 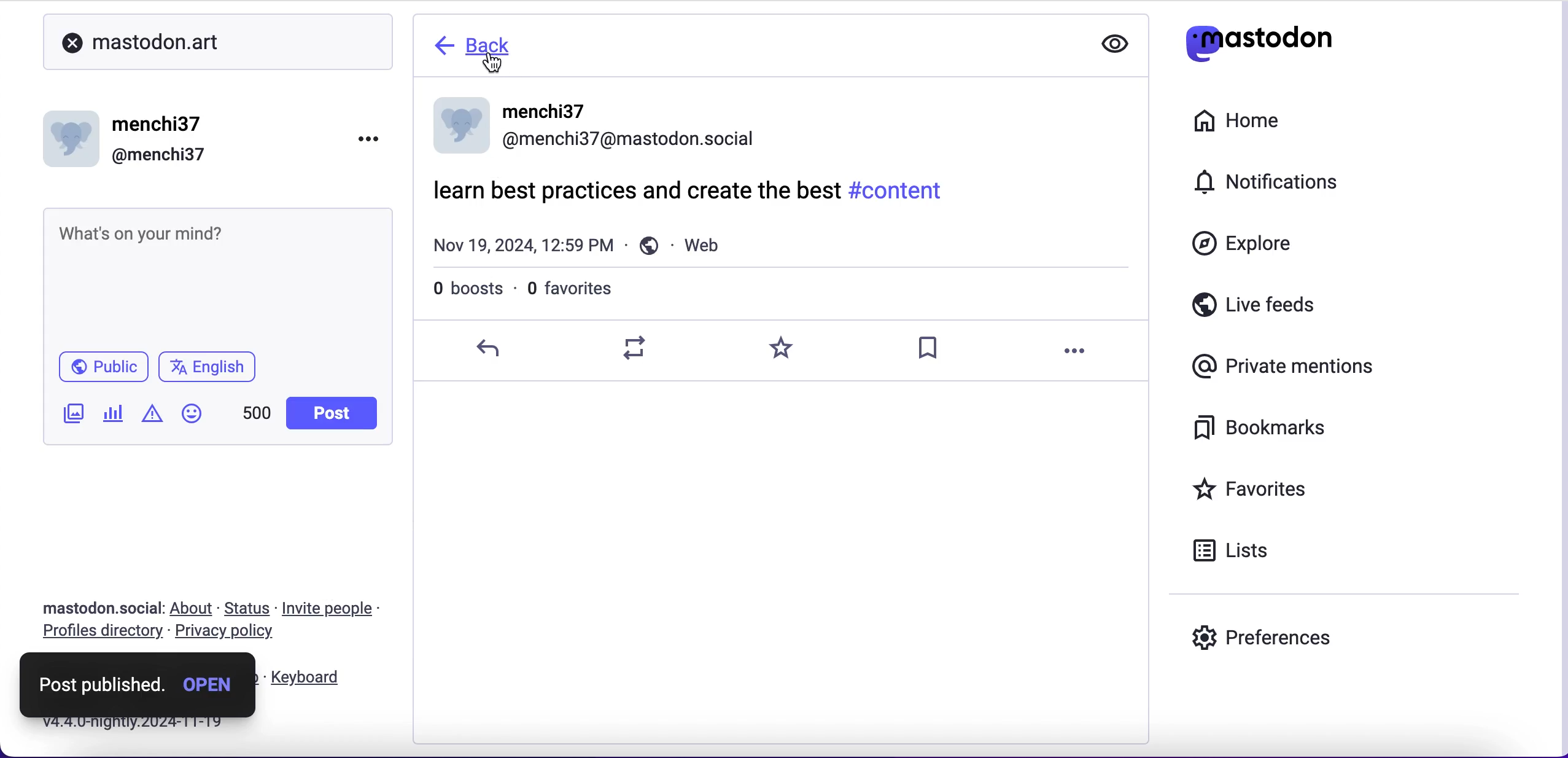 I want to click on post, so click(x=638, y=191).